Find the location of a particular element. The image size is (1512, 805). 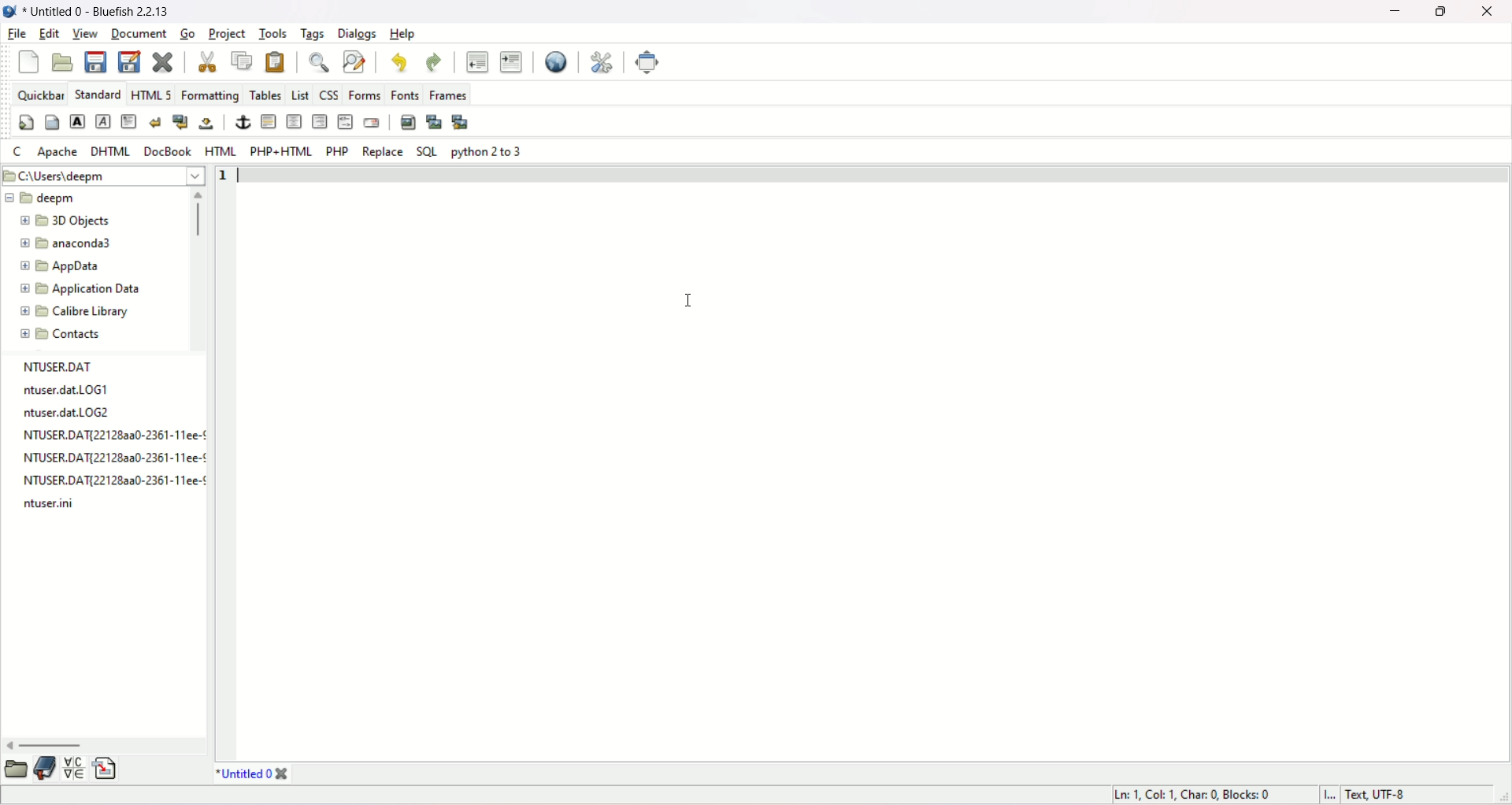

standard is located at coordinates (98, 95).